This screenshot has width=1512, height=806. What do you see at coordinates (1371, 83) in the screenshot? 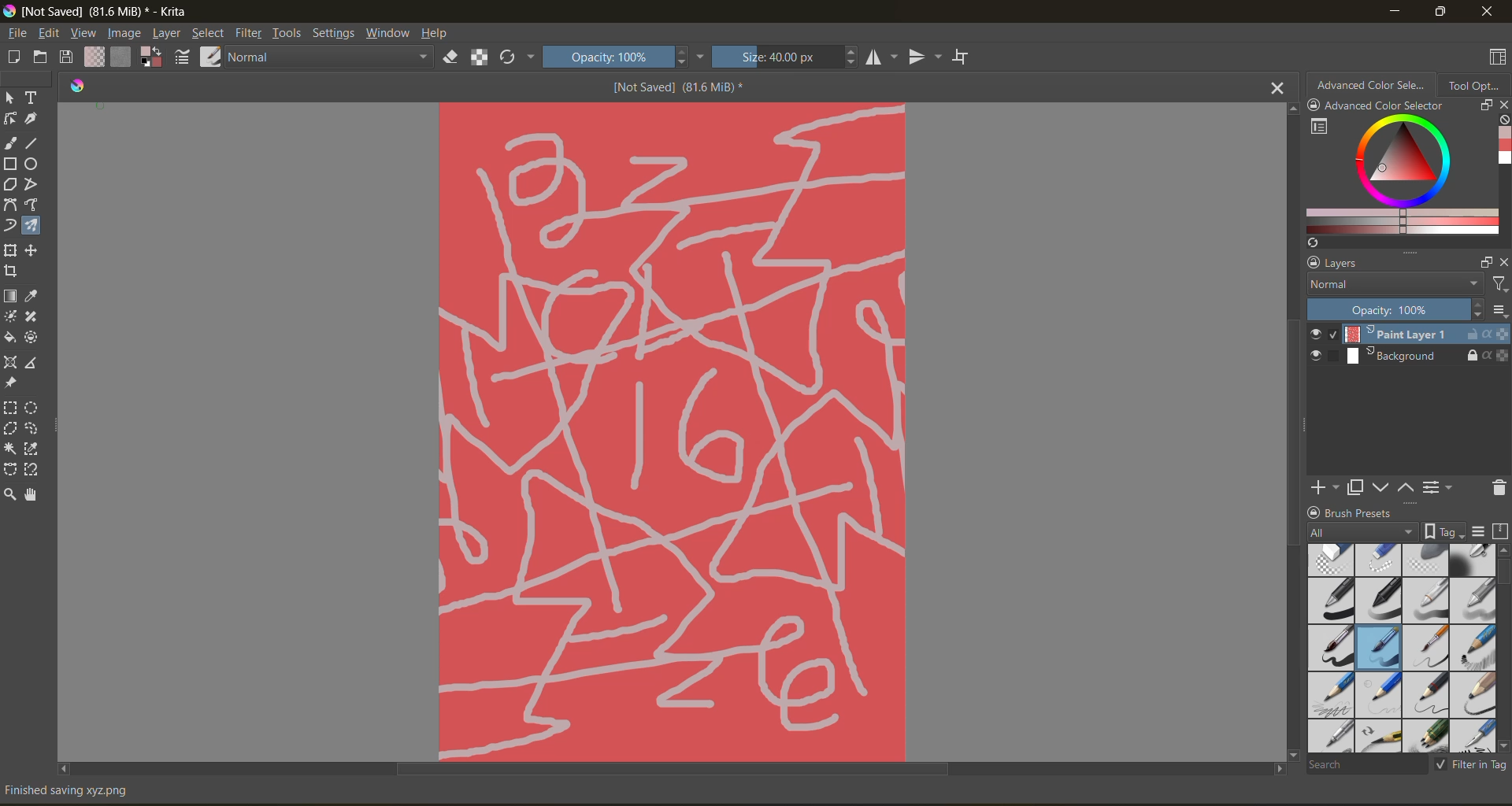
I see `advanced color selector` at bounding box center [1371, 83].